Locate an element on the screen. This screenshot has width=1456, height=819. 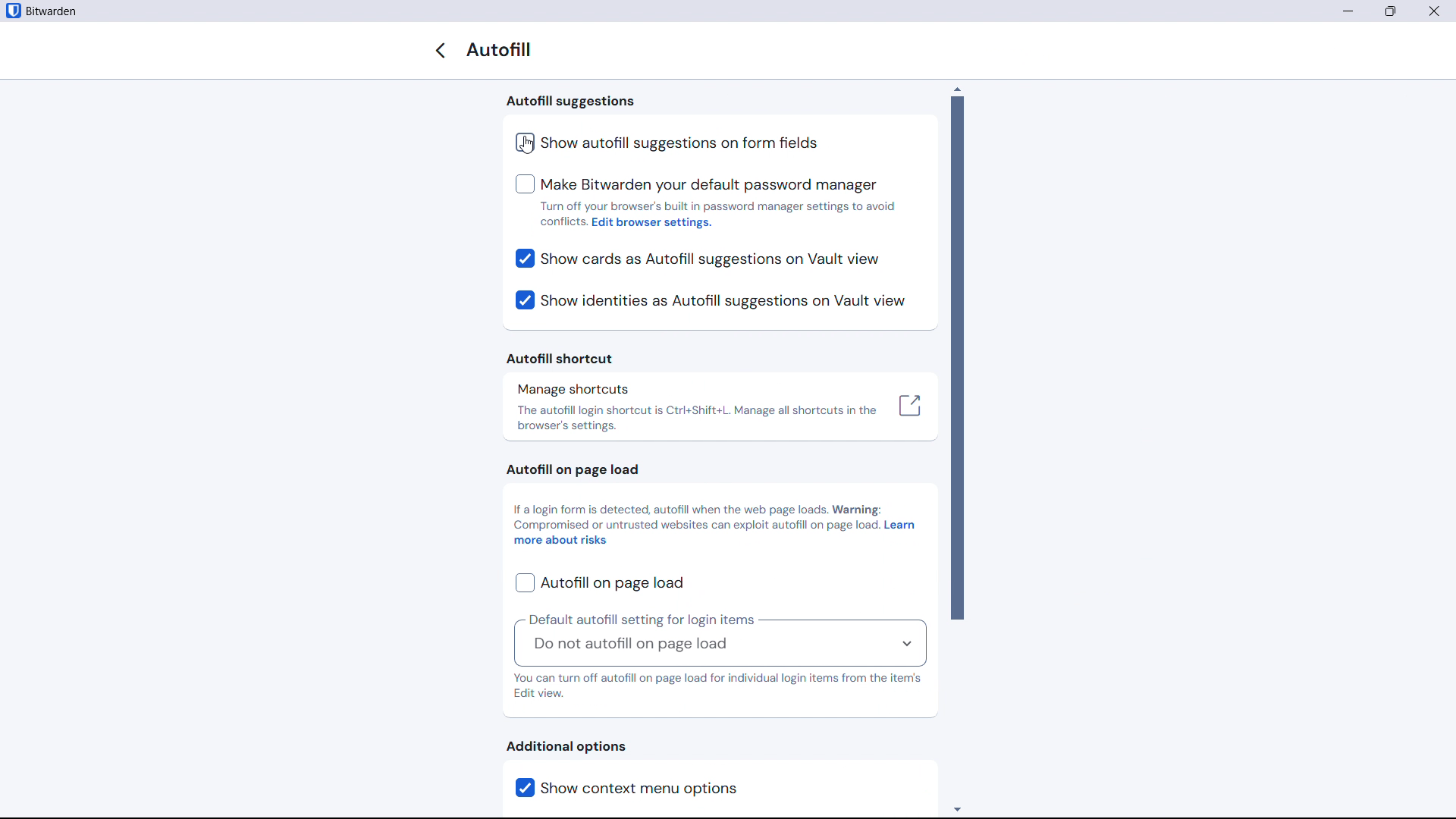
Option unticked is located at coordinates (668, 143).